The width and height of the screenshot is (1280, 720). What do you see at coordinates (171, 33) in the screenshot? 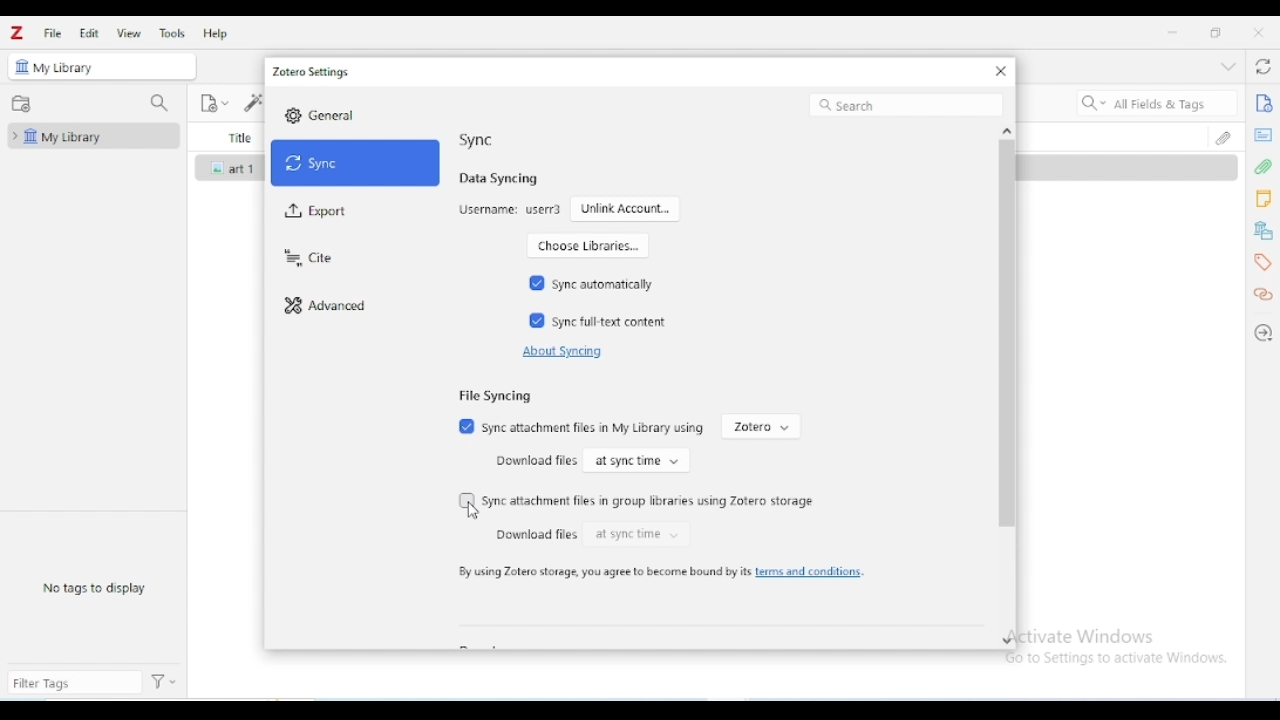
I see `tools` at bounding box center [171, 33].